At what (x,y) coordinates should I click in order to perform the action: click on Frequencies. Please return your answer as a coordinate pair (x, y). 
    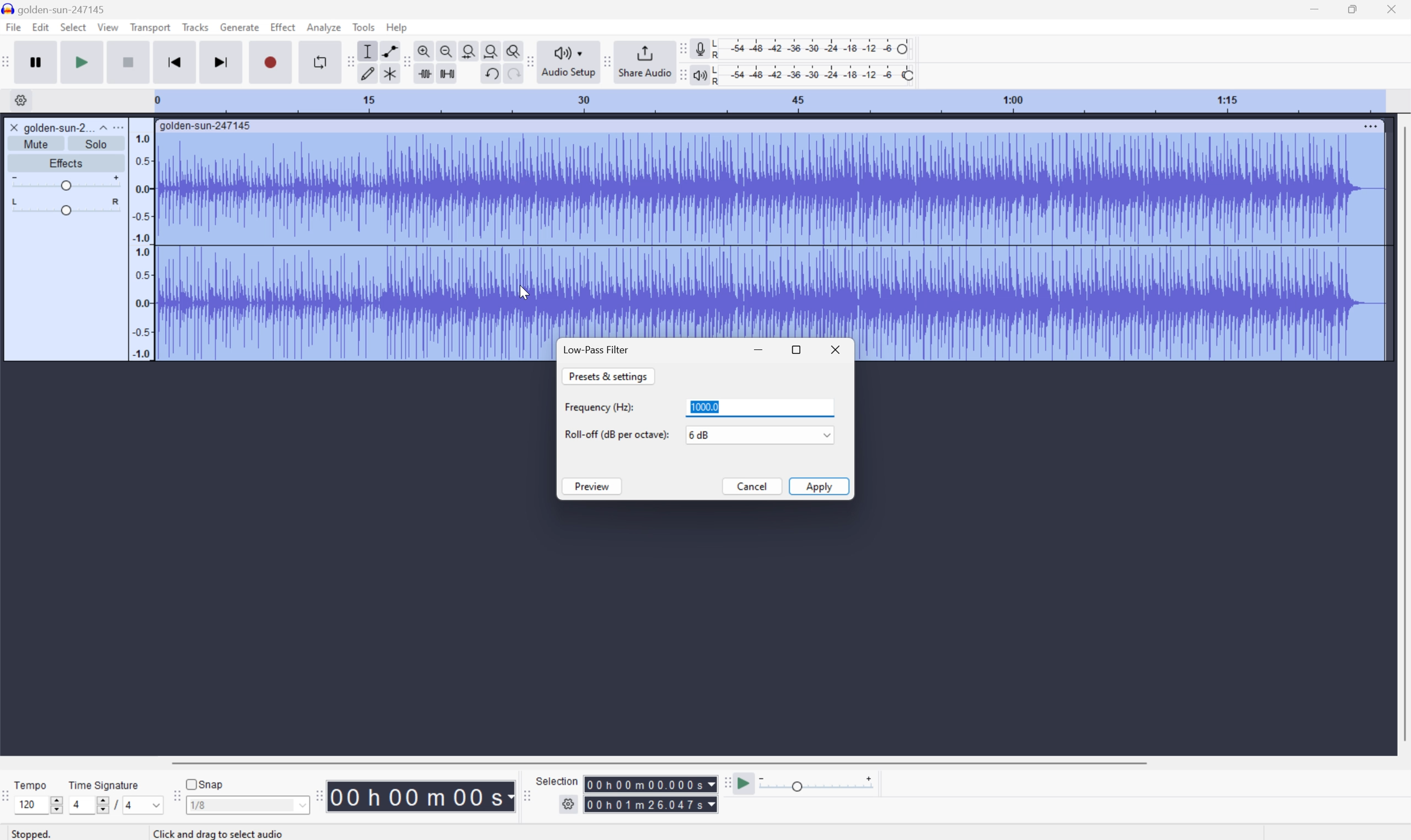
    Looking at the image, I should click on (142, 246).